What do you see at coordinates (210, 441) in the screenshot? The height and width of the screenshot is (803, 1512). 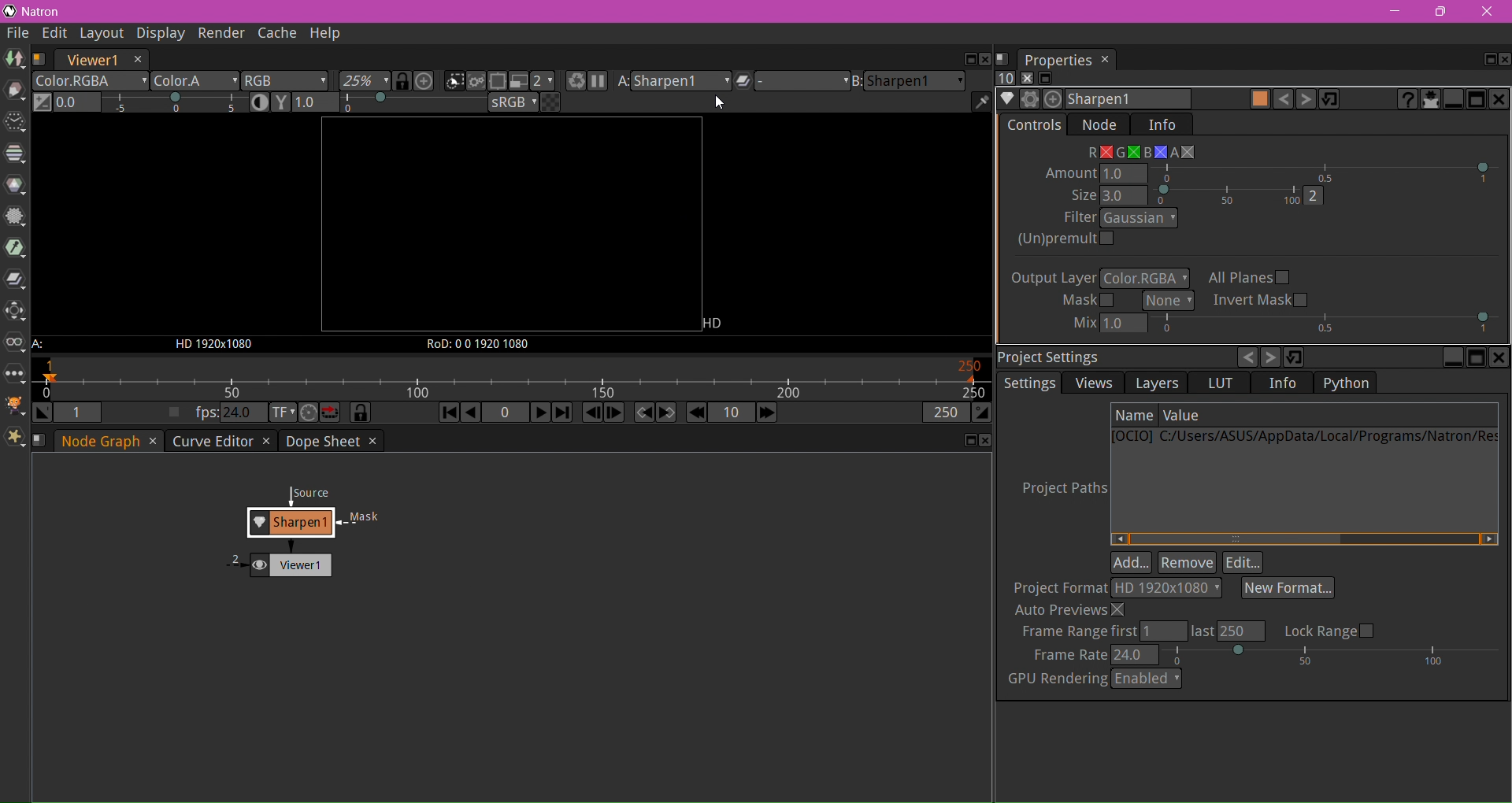 I see `Curve Editor` at bounding box center [210, 441].